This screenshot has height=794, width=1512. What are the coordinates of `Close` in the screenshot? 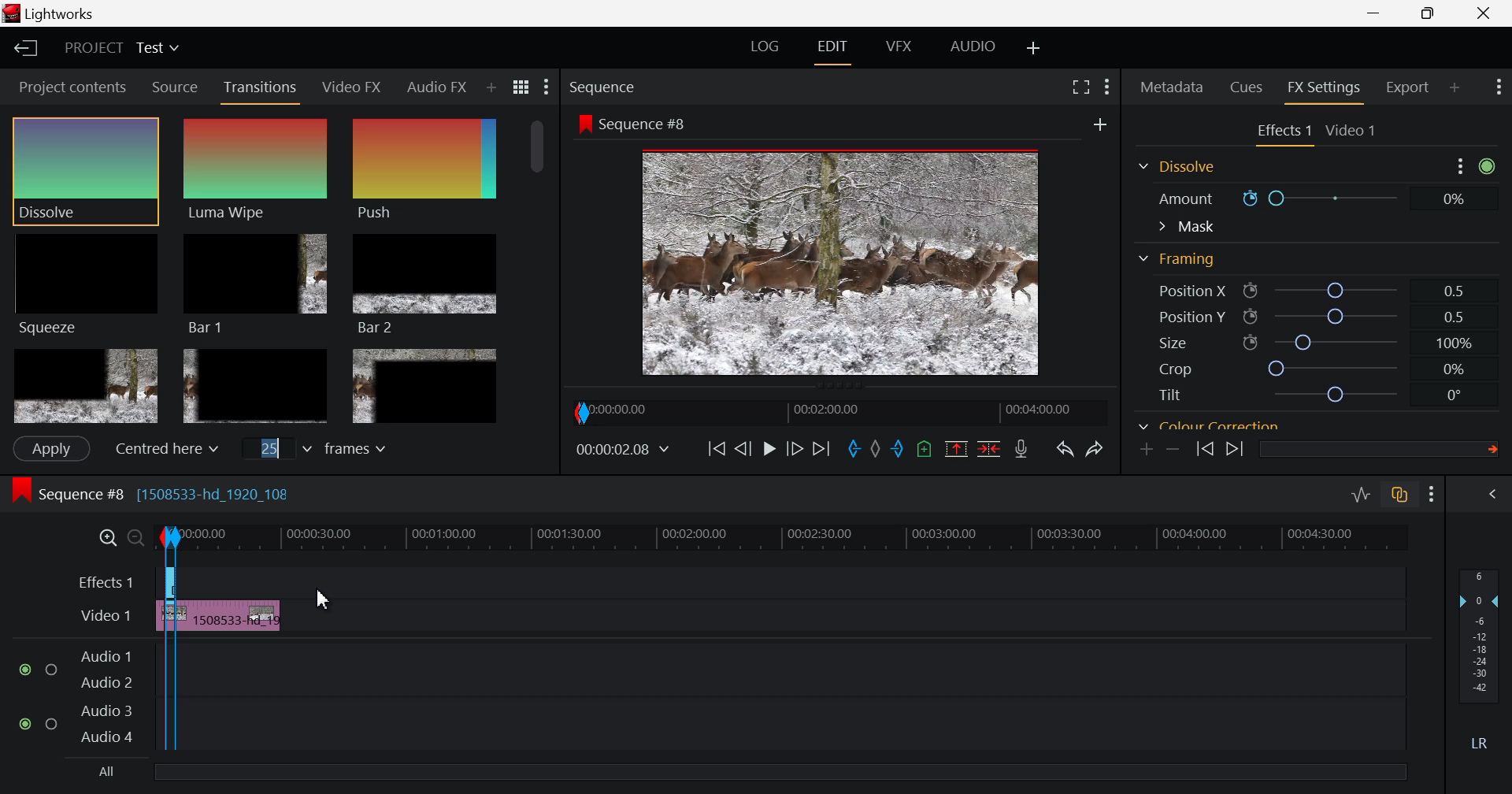 It's located at (1480, 13).